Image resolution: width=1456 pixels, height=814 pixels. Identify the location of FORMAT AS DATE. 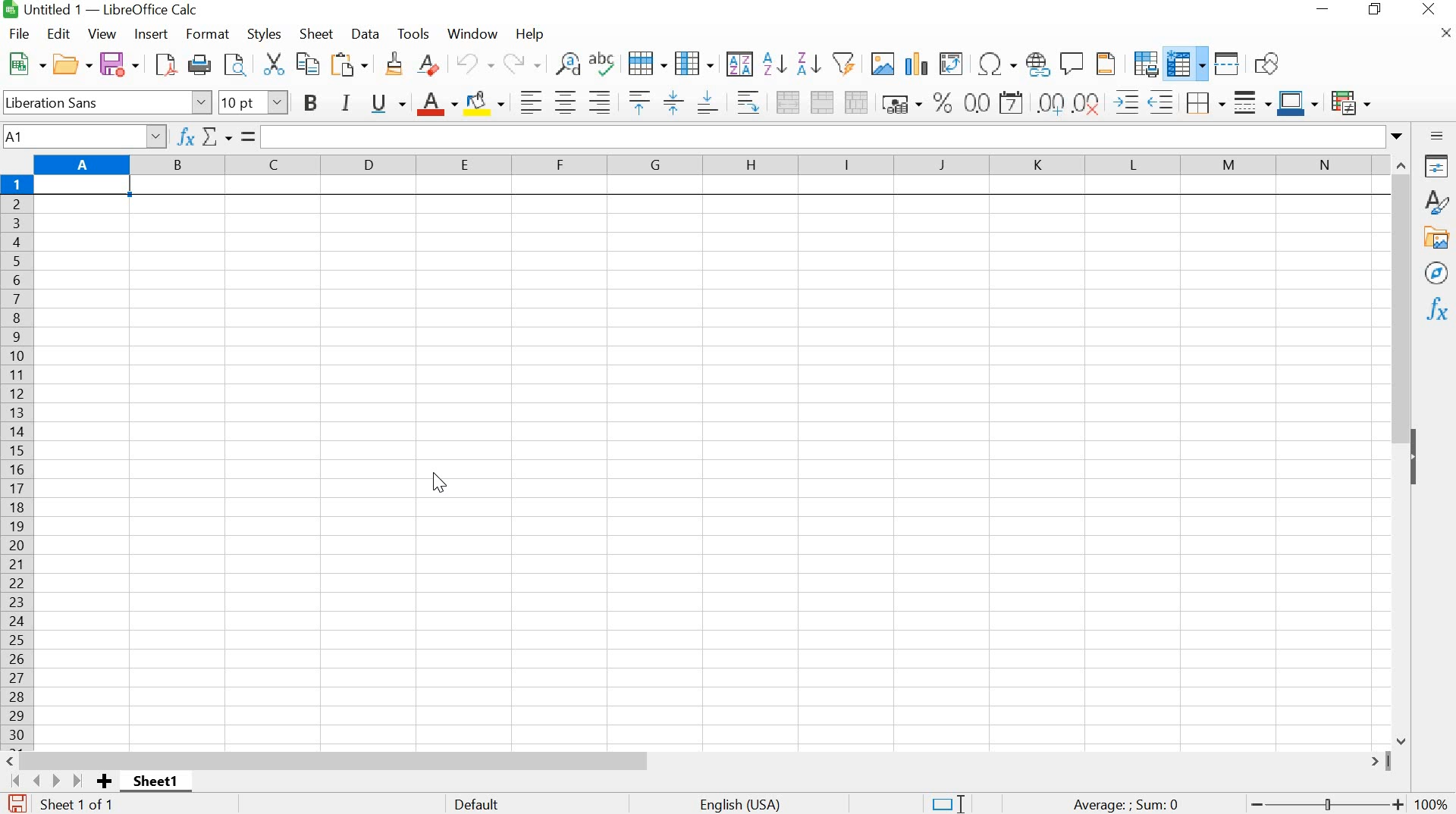
(1014, 104).